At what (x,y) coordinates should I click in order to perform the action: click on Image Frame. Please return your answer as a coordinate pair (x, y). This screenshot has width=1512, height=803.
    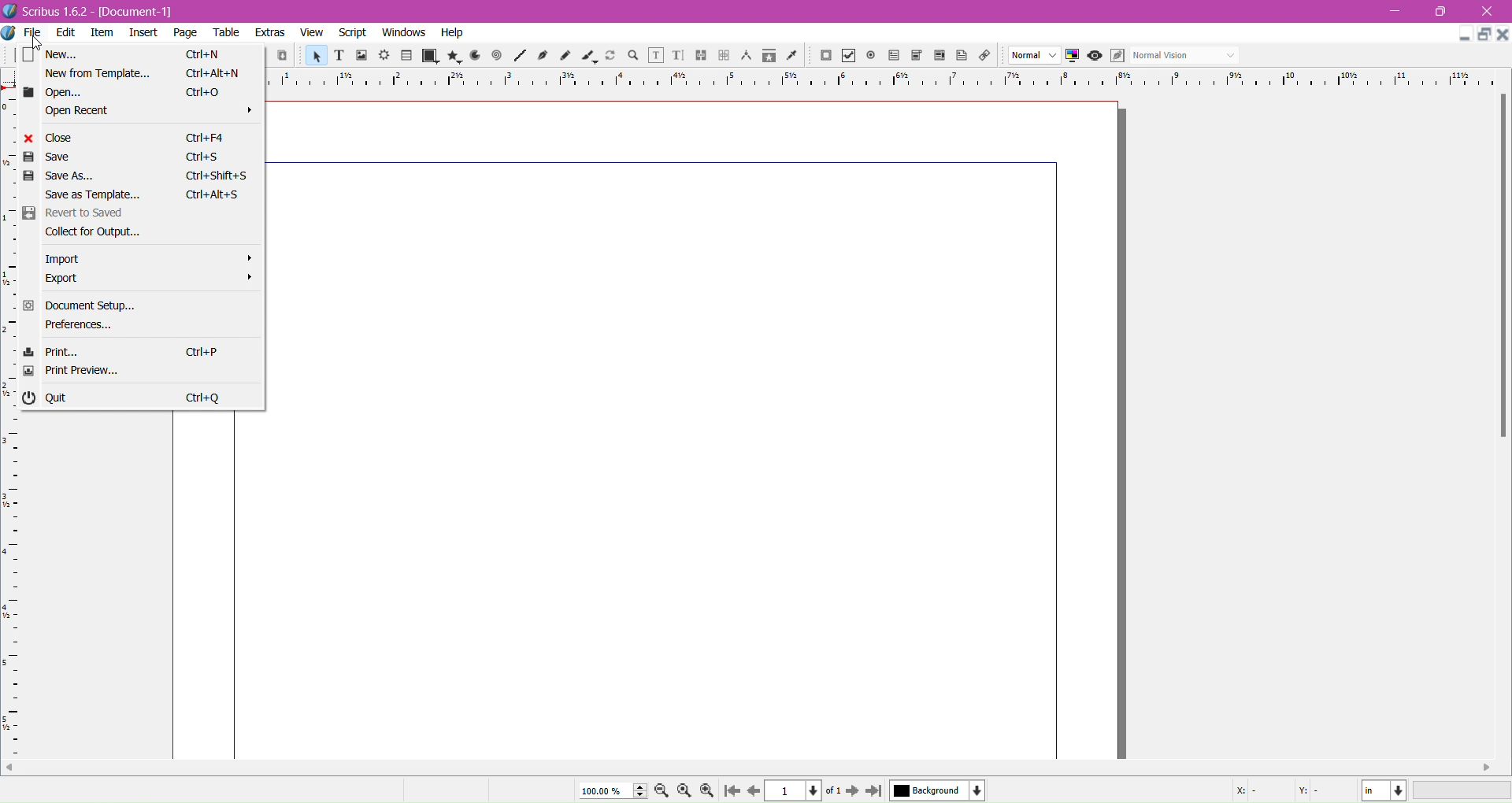
    Looking at the image, I should click on (362, 56).